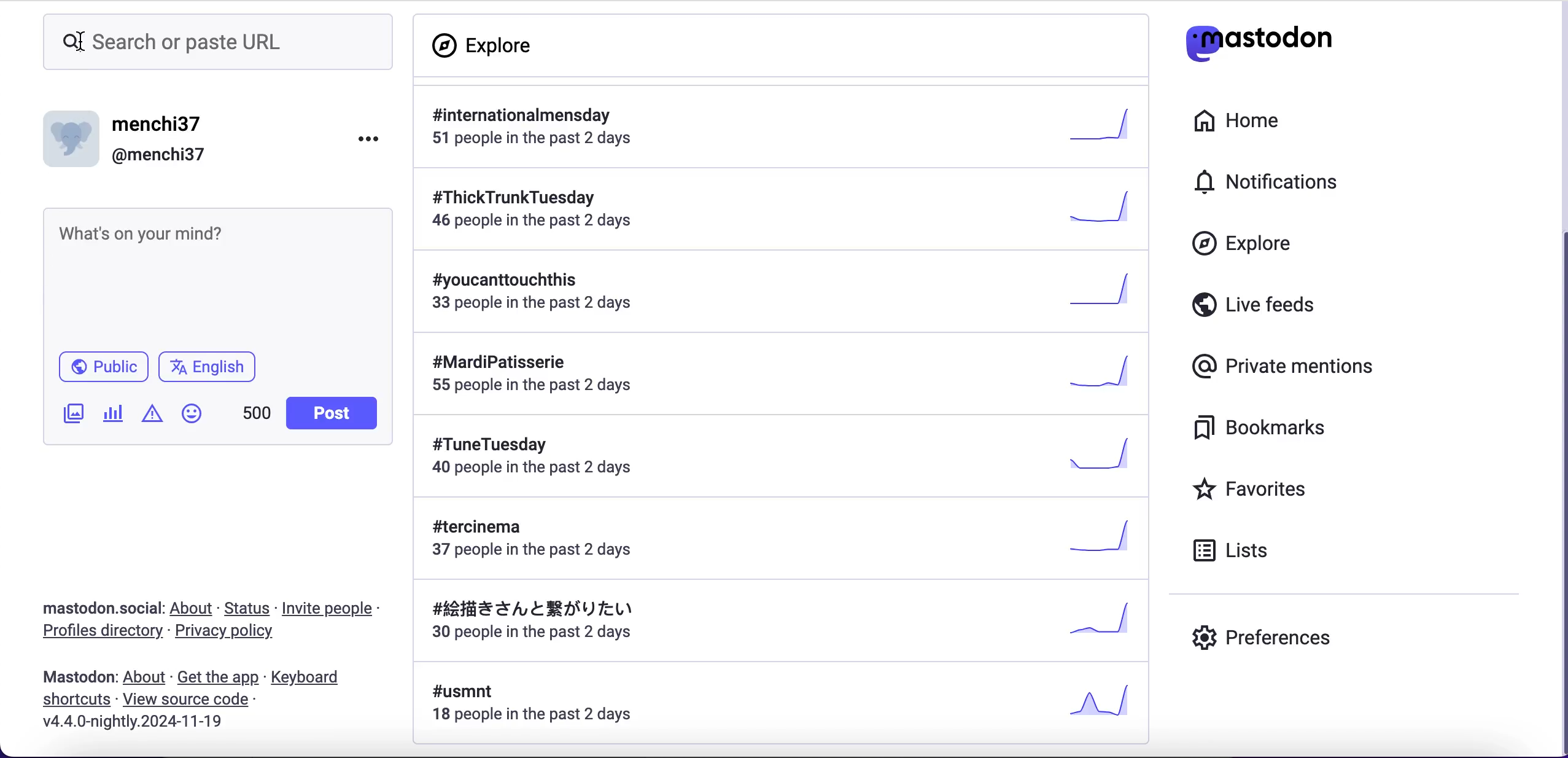 The width and height of the screenshot is (1568, 758). Describe the element at coordinates (1236, 550) in the screenshot. I see `lists` at that location.